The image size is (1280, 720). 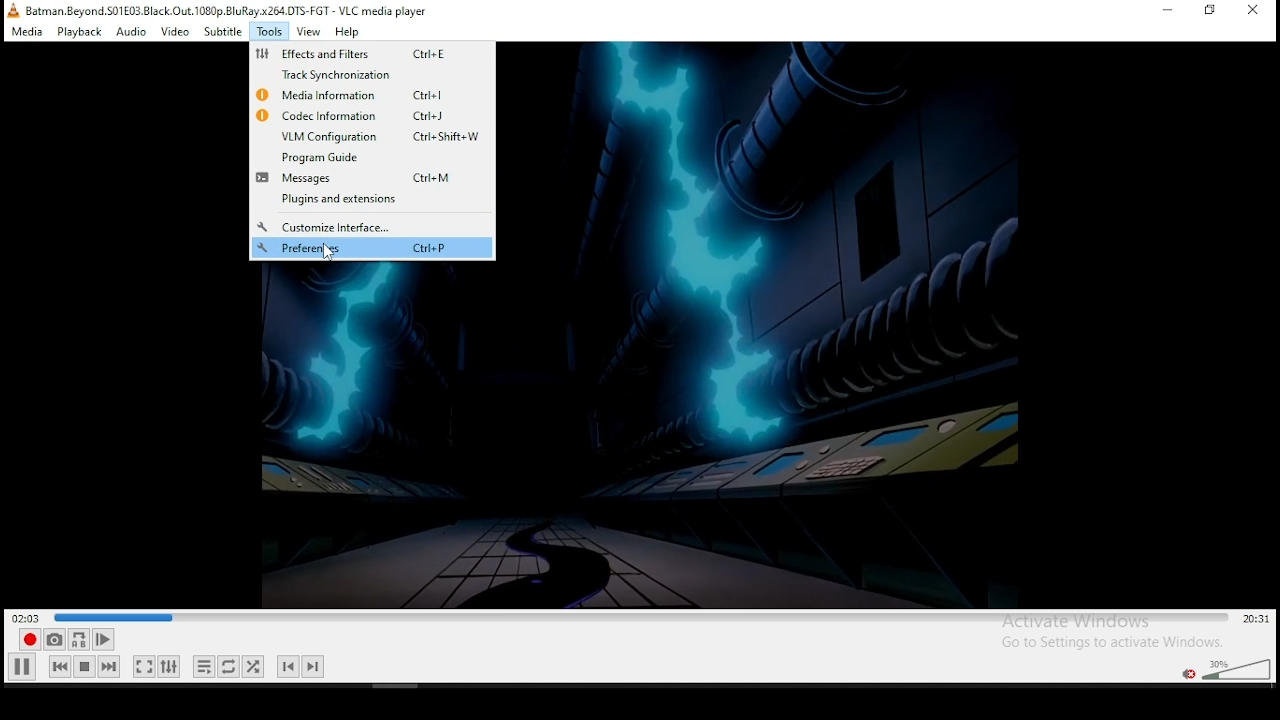 What do you see at coordinates (28, 31) in the screenshot?
I see `media` at bounding box center [28, 31].